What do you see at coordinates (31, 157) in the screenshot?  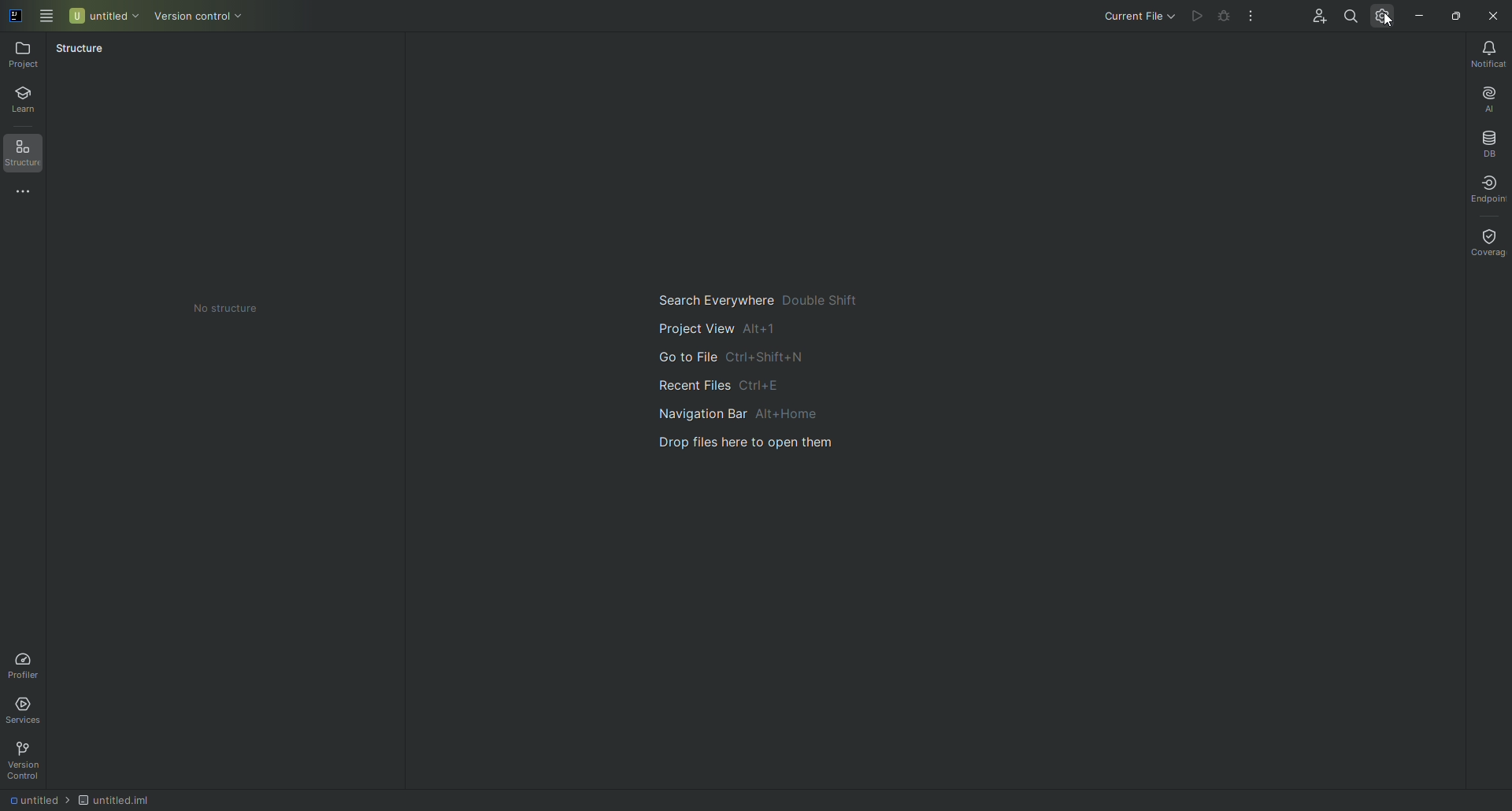 I see `Structure` at bounding box center [31, 157].